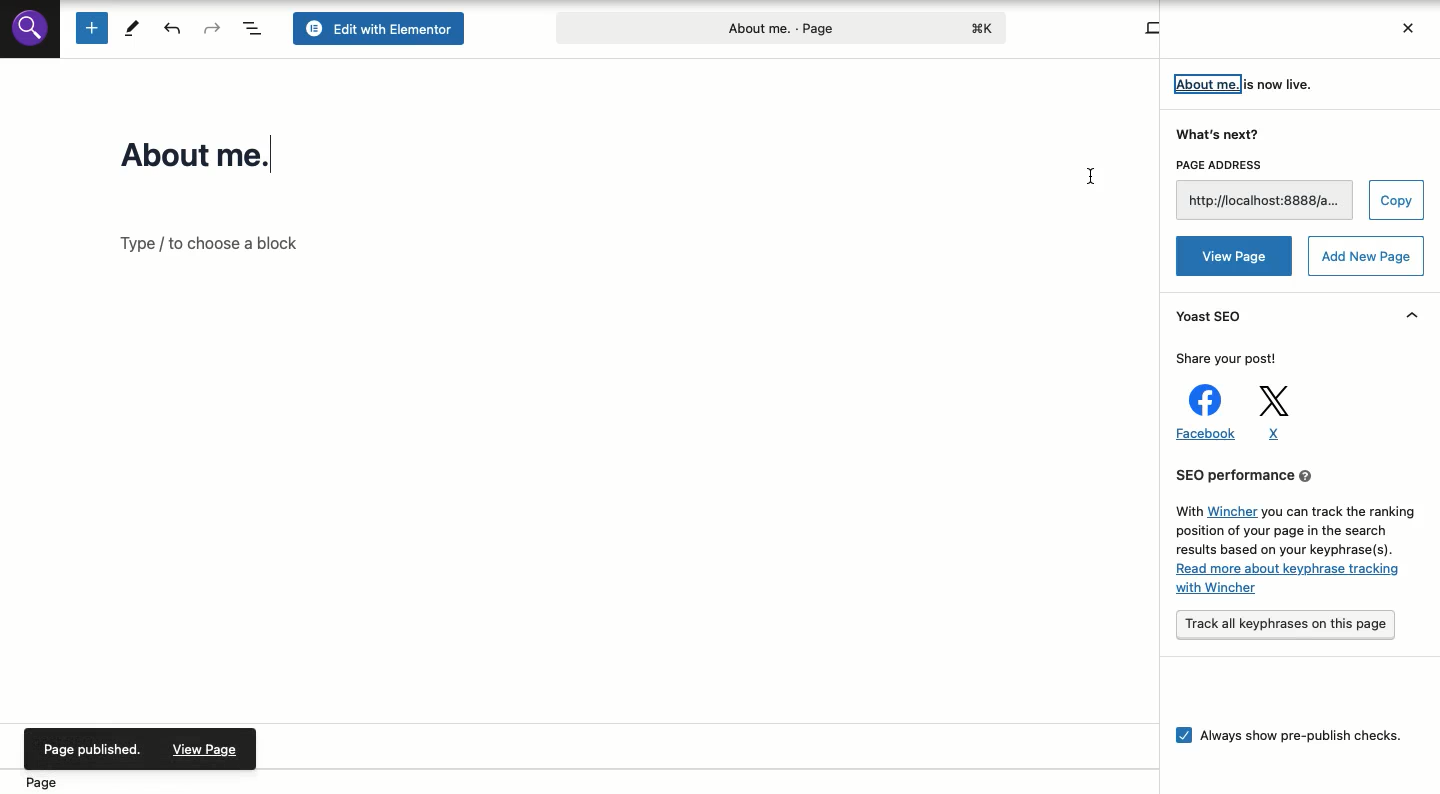 Image resolution: width=1440 pixels, height=794 pixels. I want to click on Share your post, so click(1223, 358).